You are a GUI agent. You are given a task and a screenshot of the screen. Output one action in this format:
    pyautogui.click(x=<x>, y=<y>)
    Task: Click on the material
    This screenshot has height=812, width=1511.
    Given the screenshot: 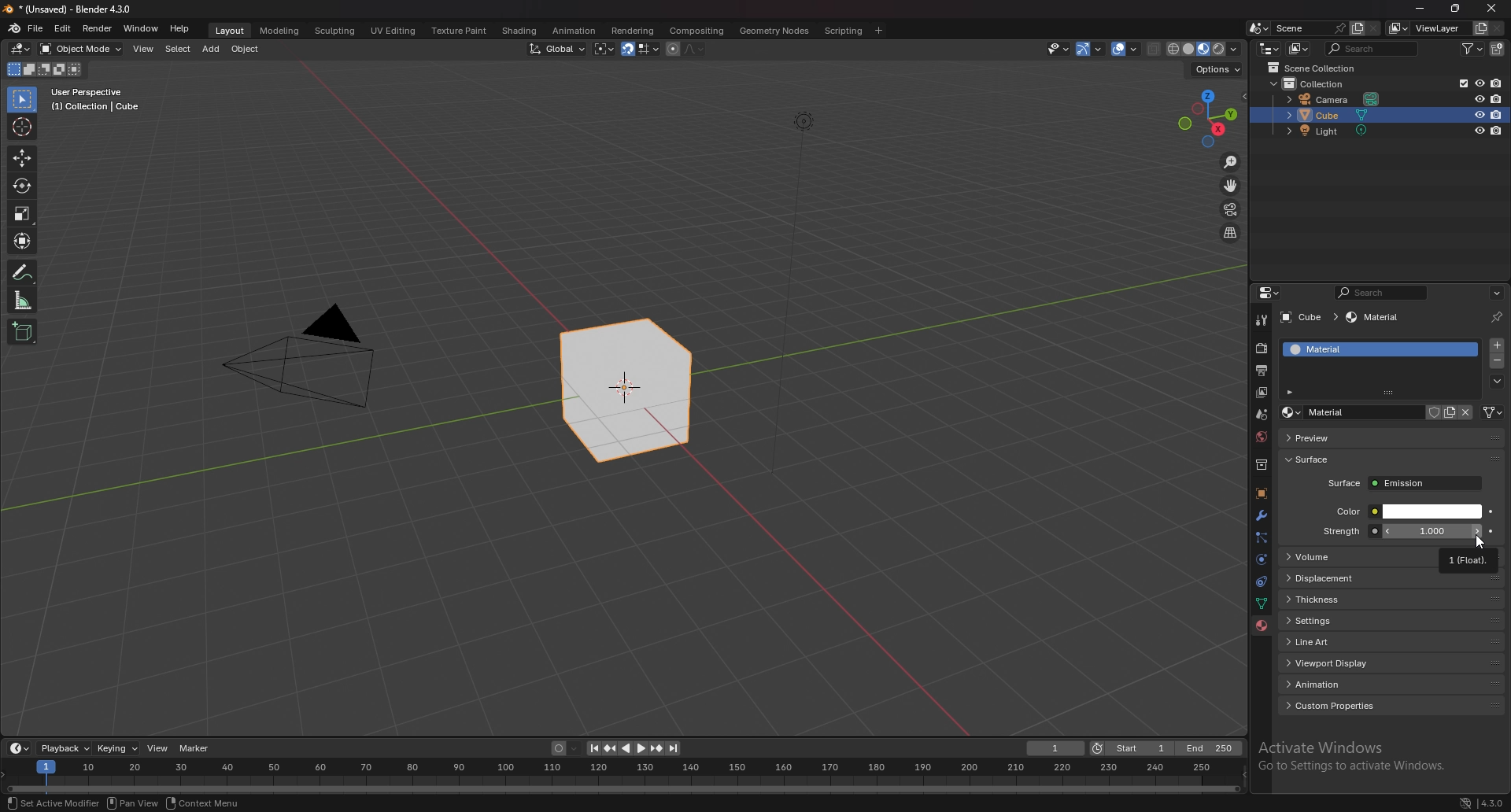 What is the action you would take?
    pyautogui.click(x=1262, y=626)
    